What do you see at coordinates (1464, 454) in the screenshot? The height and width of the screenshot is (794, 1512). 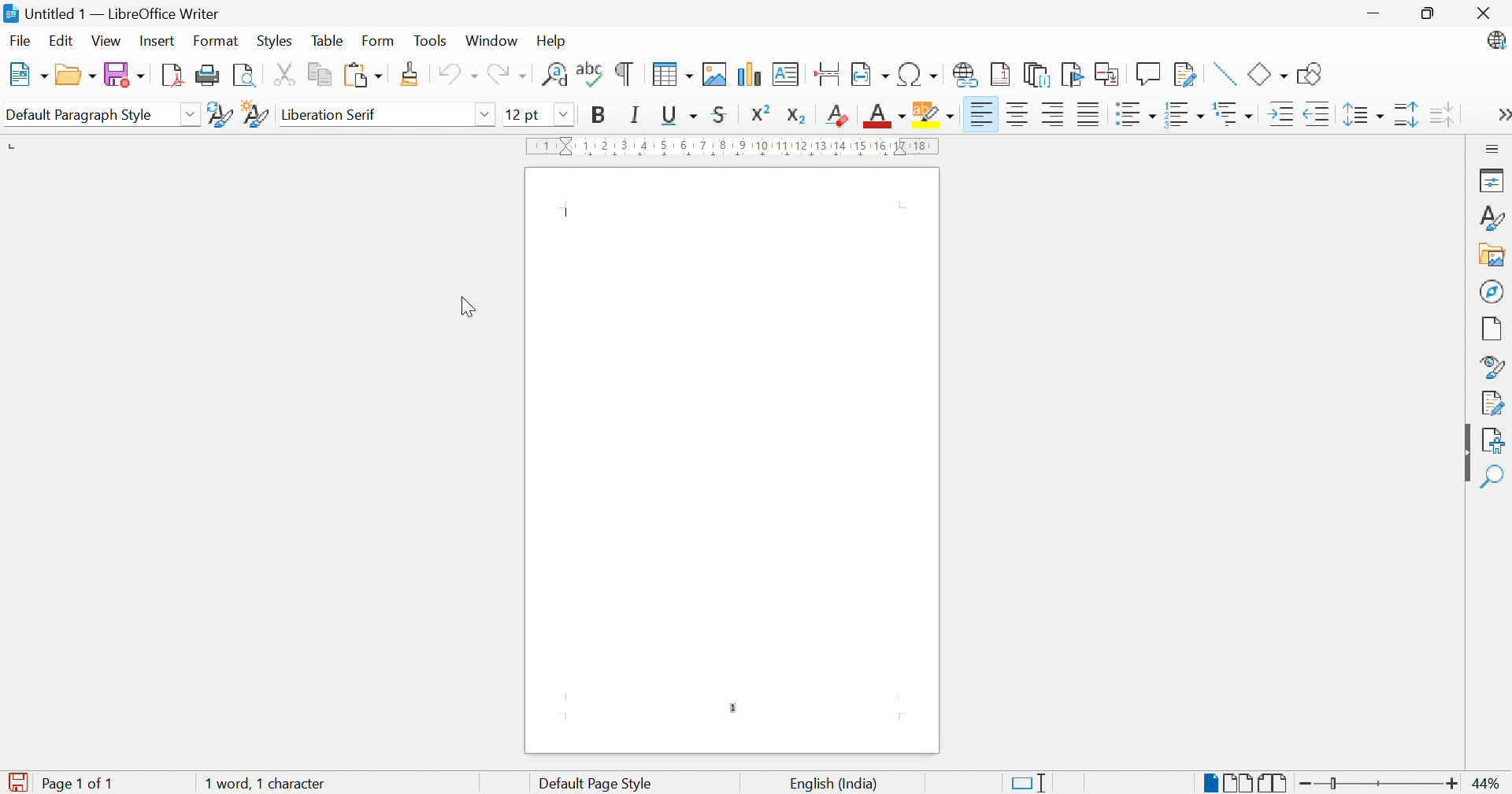 I see `Hide` at bounding box center [1464, 454].